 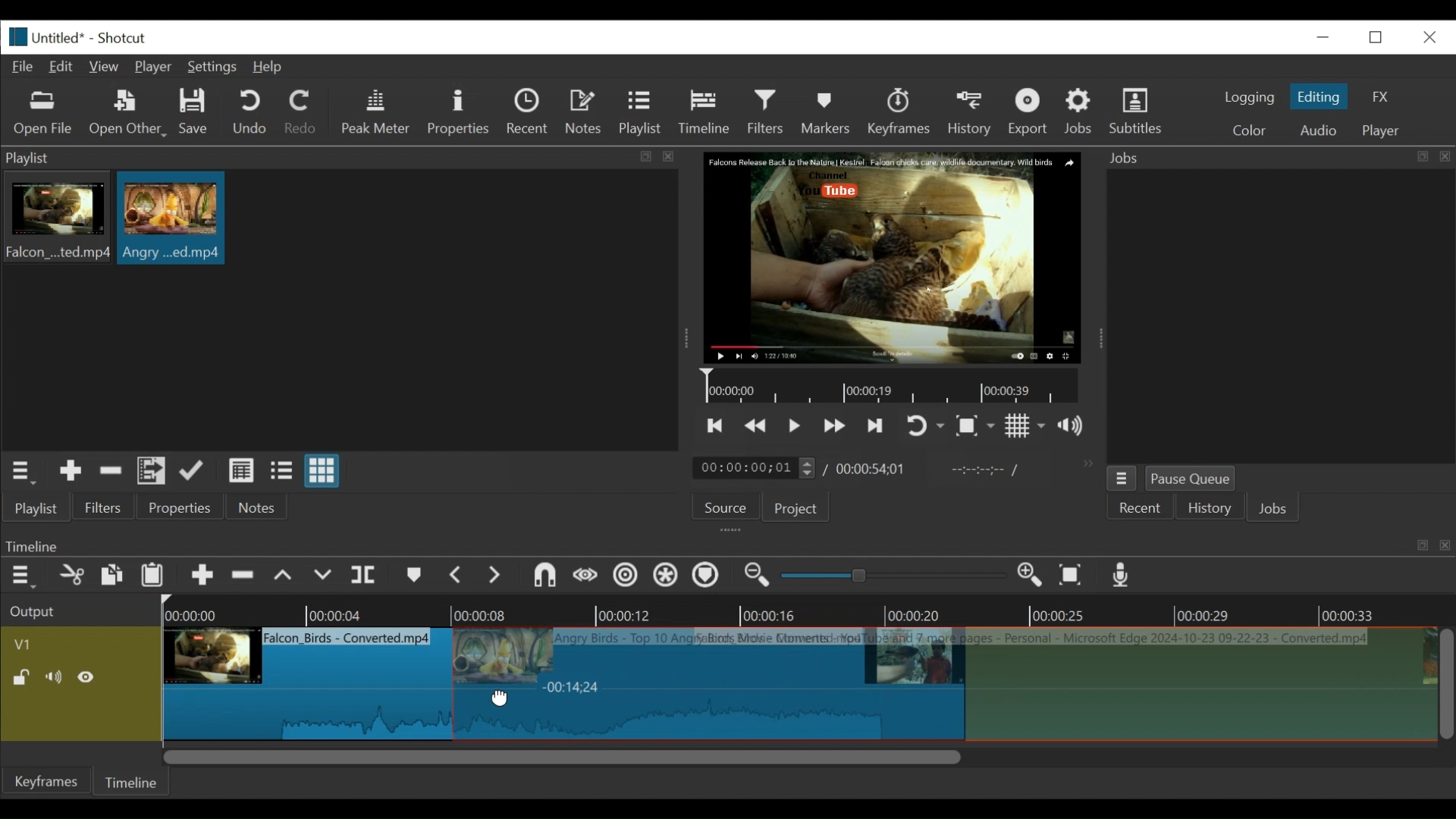 I want to click on jobs panel, so click(x=1280, y=315).